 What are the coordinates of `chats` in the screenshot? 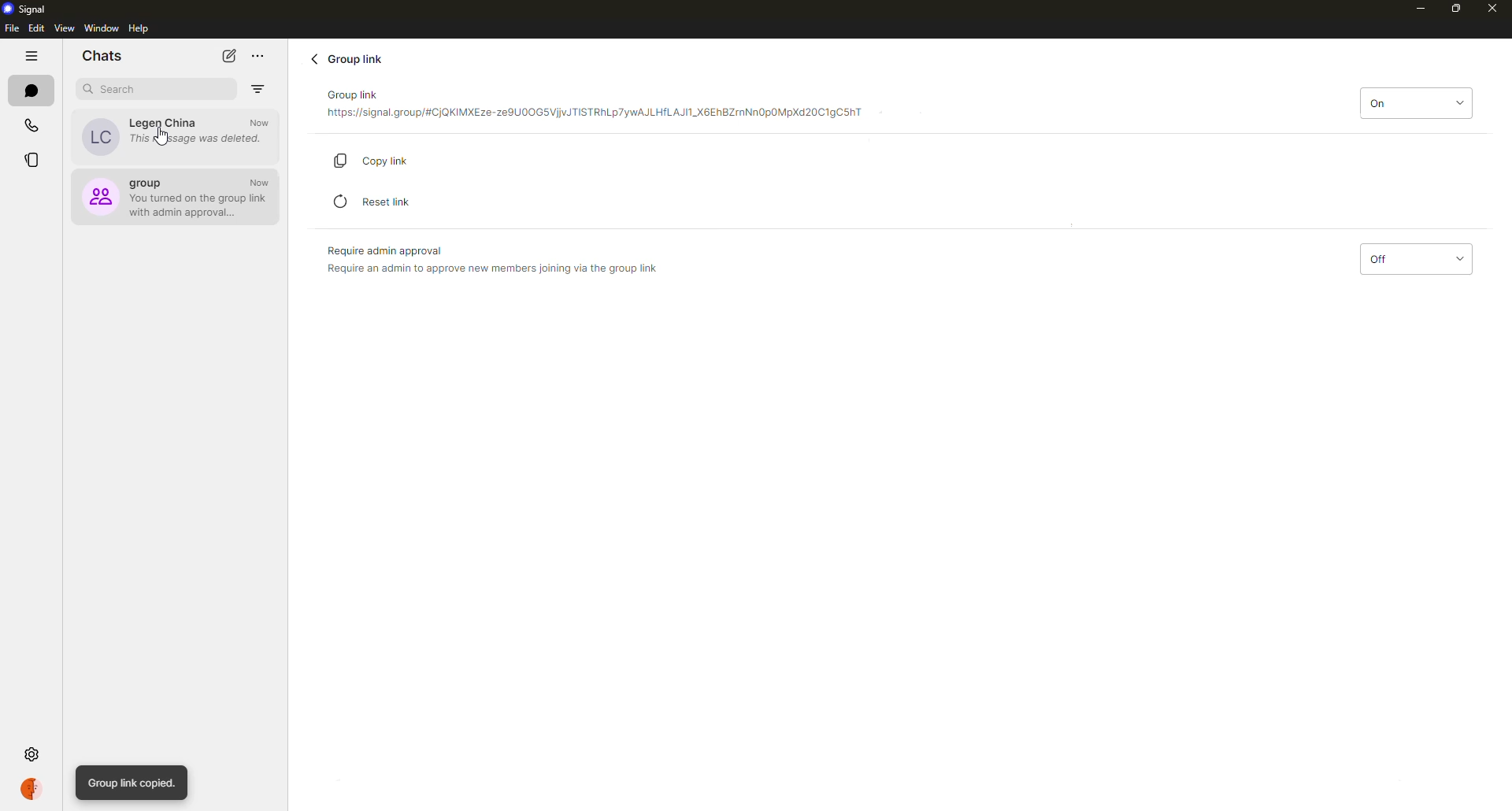 It's located at (33, 91).